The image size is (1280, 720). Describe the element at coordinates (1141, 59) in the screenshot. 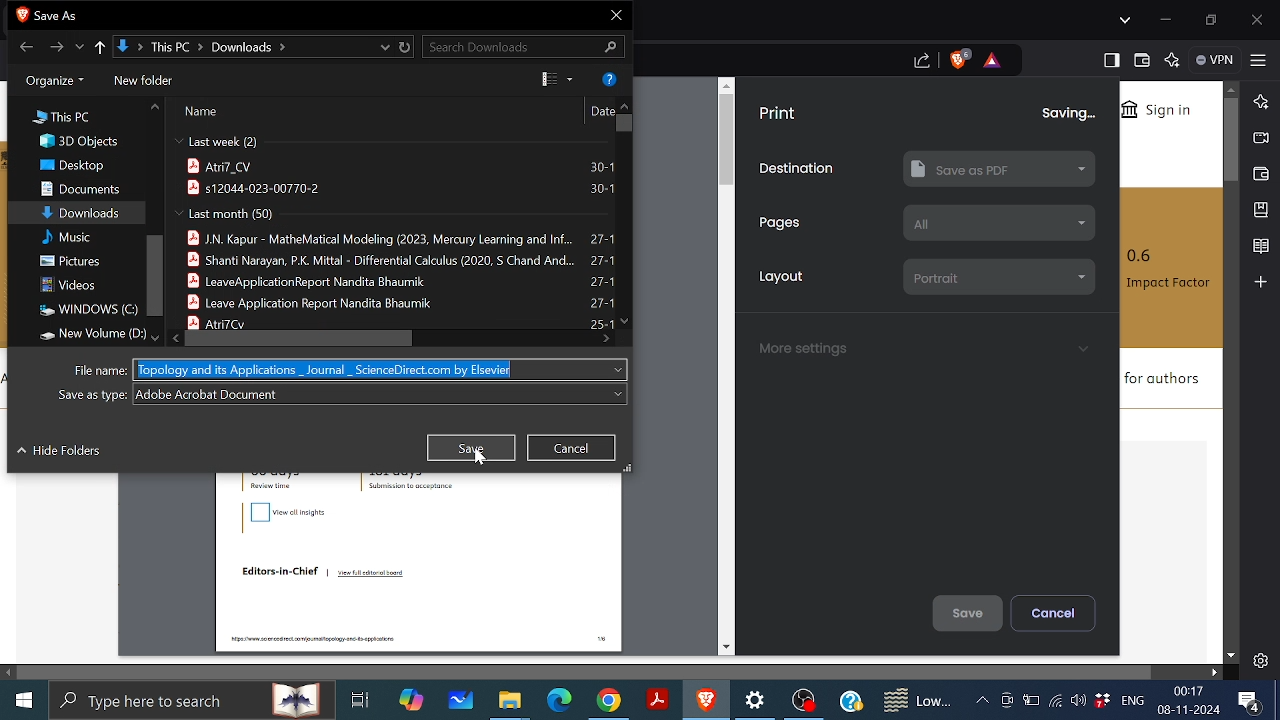

I see `Wallet` at that location.